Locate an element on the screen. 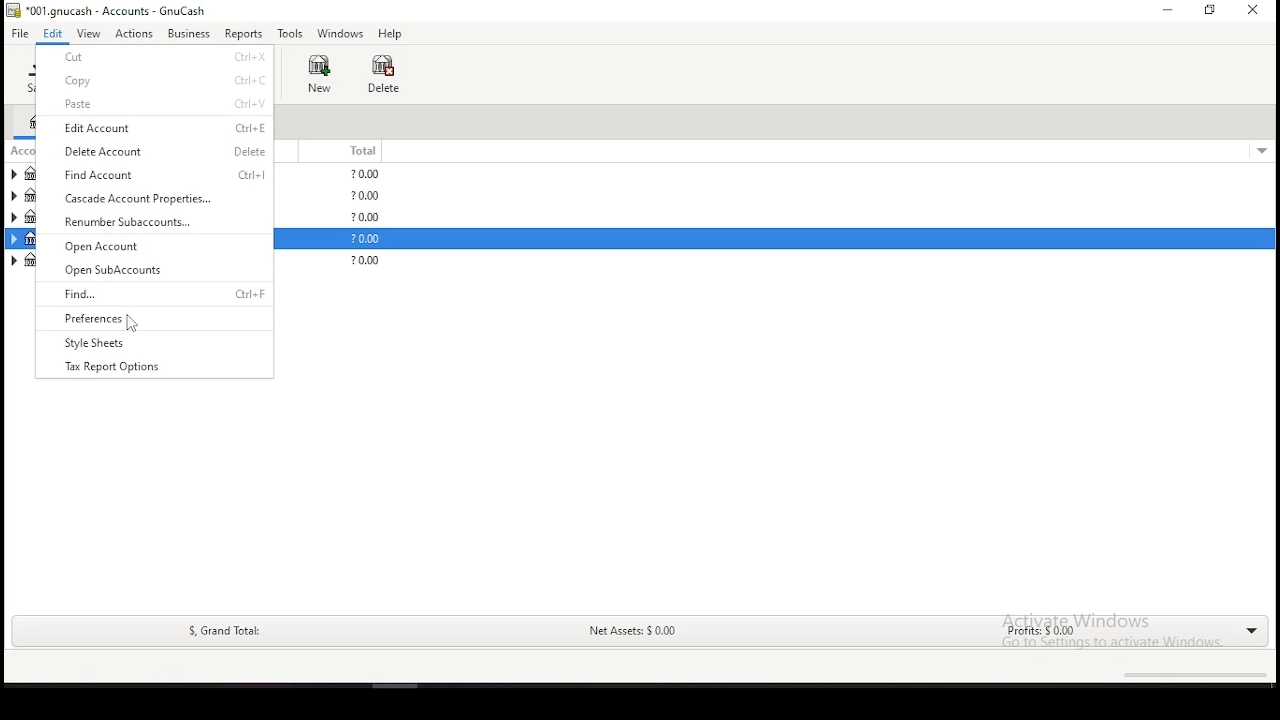 The height and width of the screenshot is (720, 1280). minimize is located at coordinates (1165, 10).